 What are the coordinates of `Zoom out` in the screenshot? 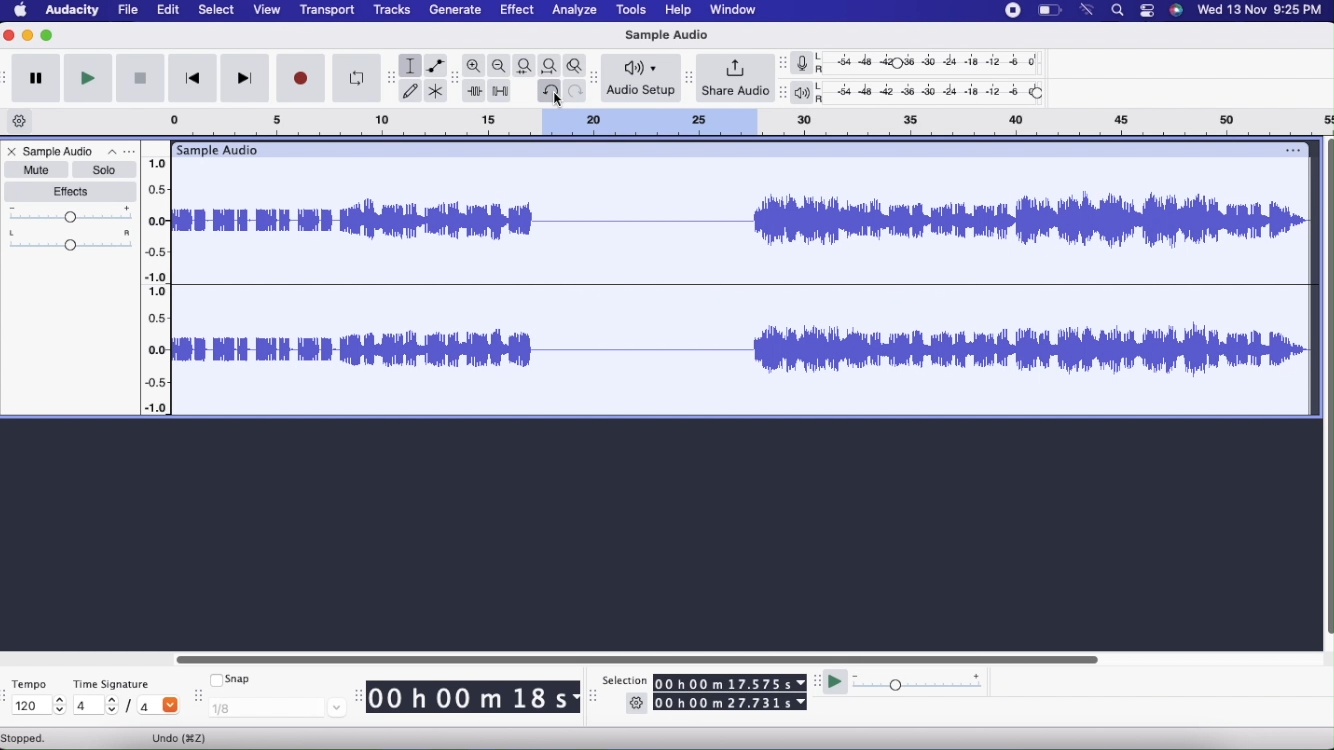 It's located at (499, 65).